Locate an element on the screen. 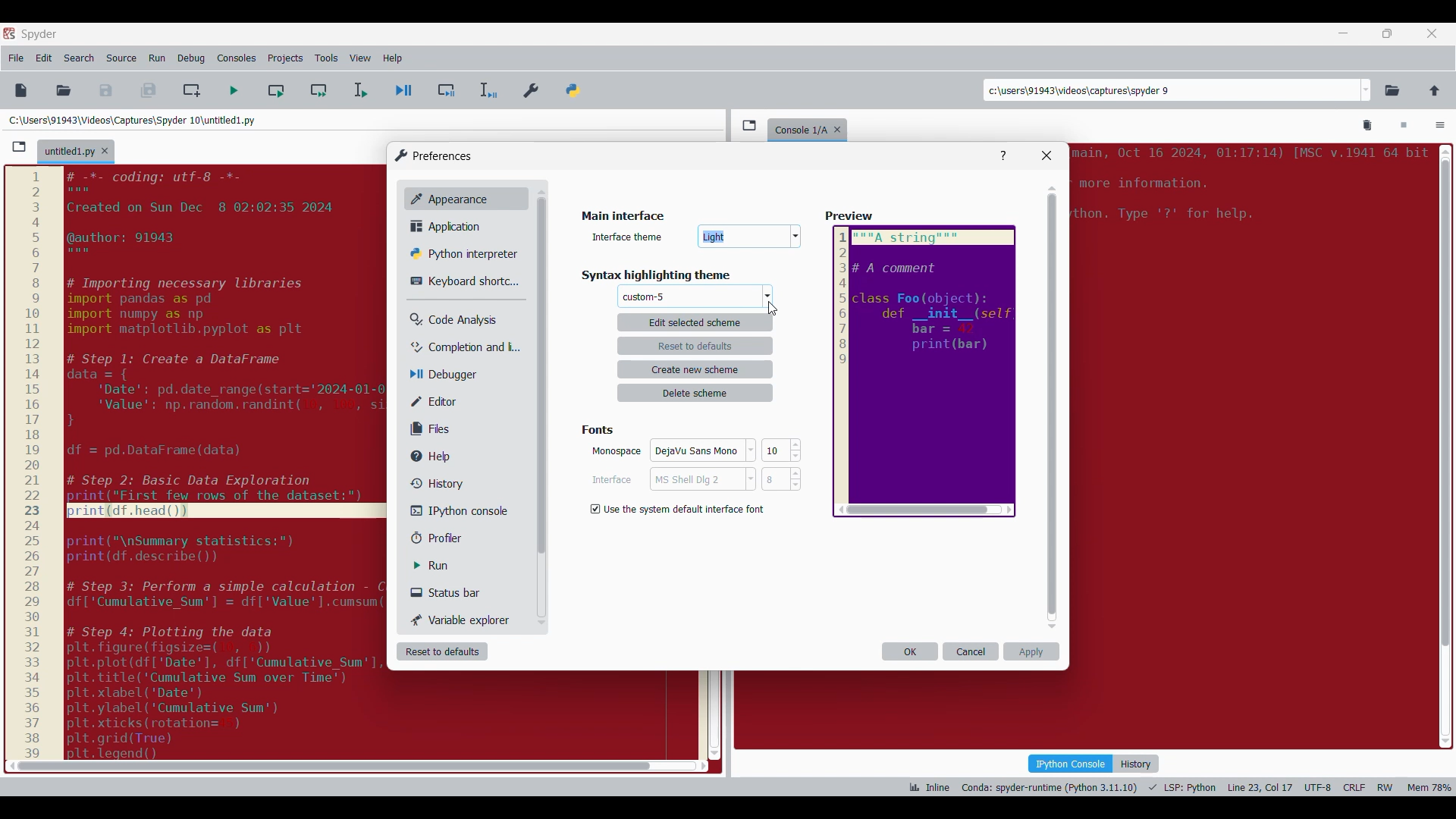  Edit menu is located at coordinates (44, 58).